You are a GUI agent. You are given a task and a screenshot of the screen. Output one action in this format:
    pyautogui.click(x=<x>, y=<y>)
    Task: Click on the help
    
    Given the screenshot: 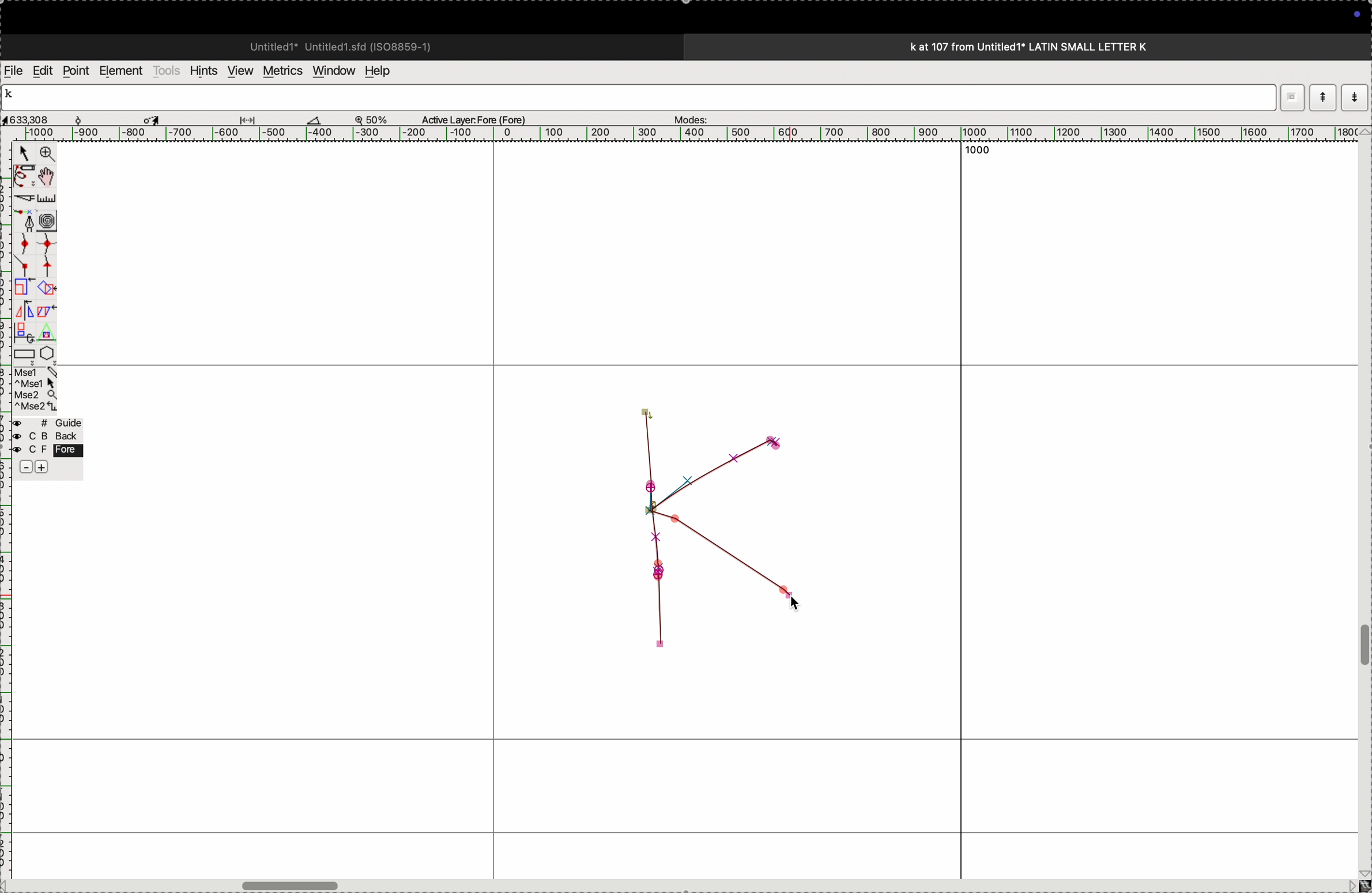 What is the action you would take?
    pyautogui.click(x=385, y=71)
    